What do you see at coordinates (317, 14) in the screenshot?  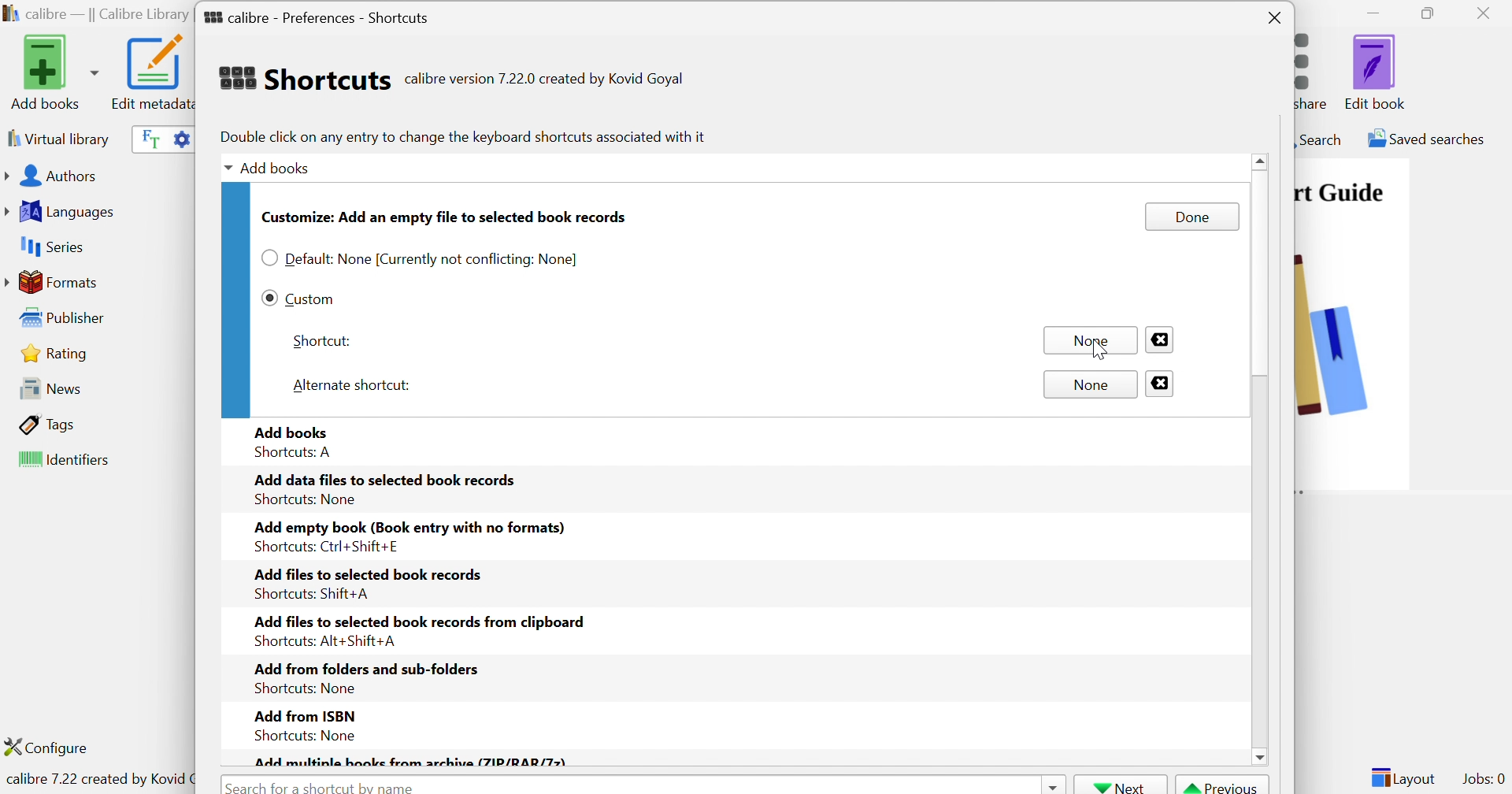 I see `calibre - Preferences - Shortcuts` at bounding box center [317, 14].